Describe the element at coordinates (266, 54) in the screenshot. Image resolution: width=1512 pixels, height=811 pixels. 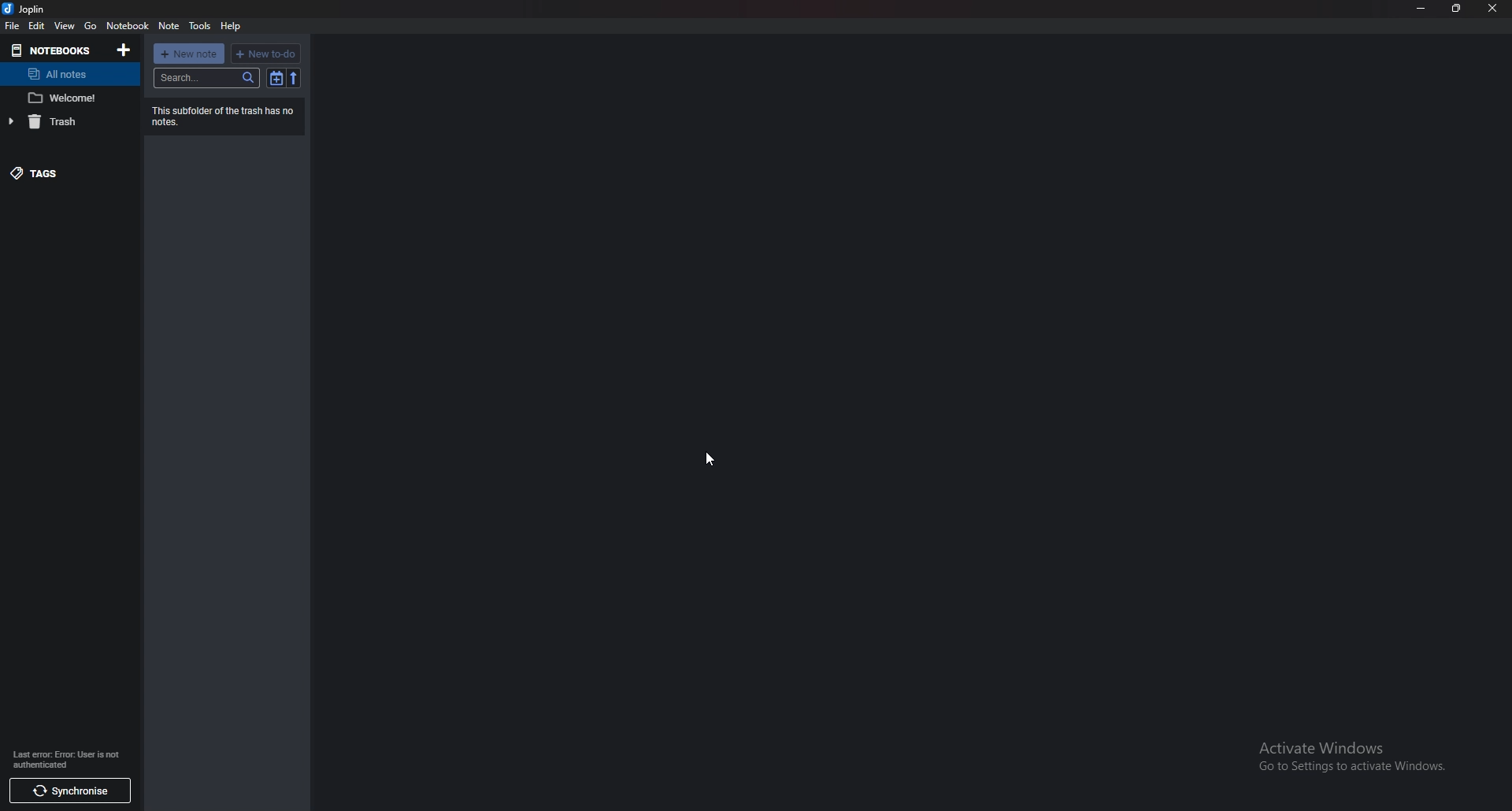
I see `new todo` at that location.